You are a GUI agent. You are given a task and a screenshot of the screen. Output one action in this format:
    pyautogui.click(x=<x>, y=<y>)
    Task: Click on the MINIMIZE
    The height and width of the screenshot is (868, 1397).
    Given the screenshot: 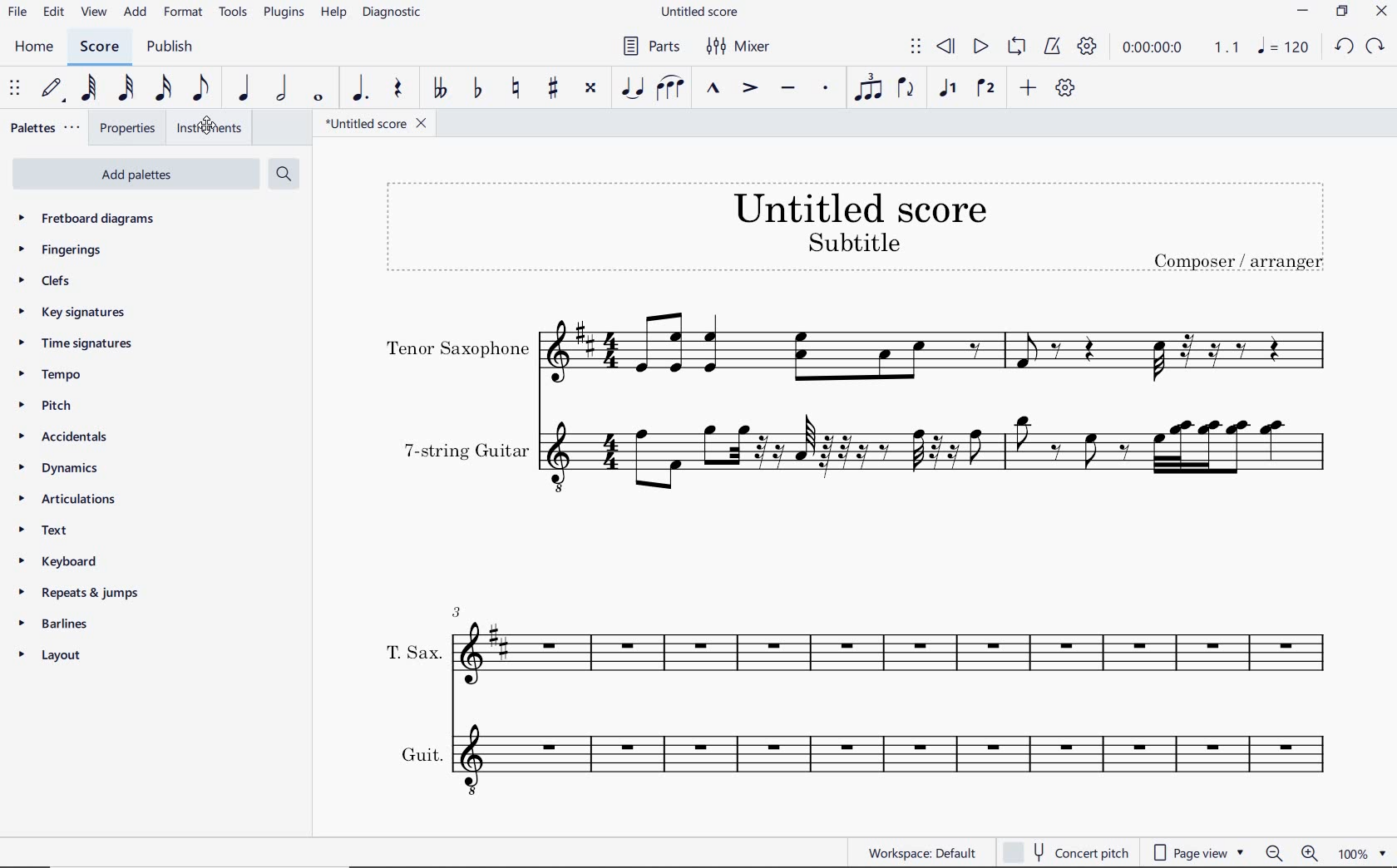 What is the action you would take?
    pyautogui.click(x=1304, y=12)
    